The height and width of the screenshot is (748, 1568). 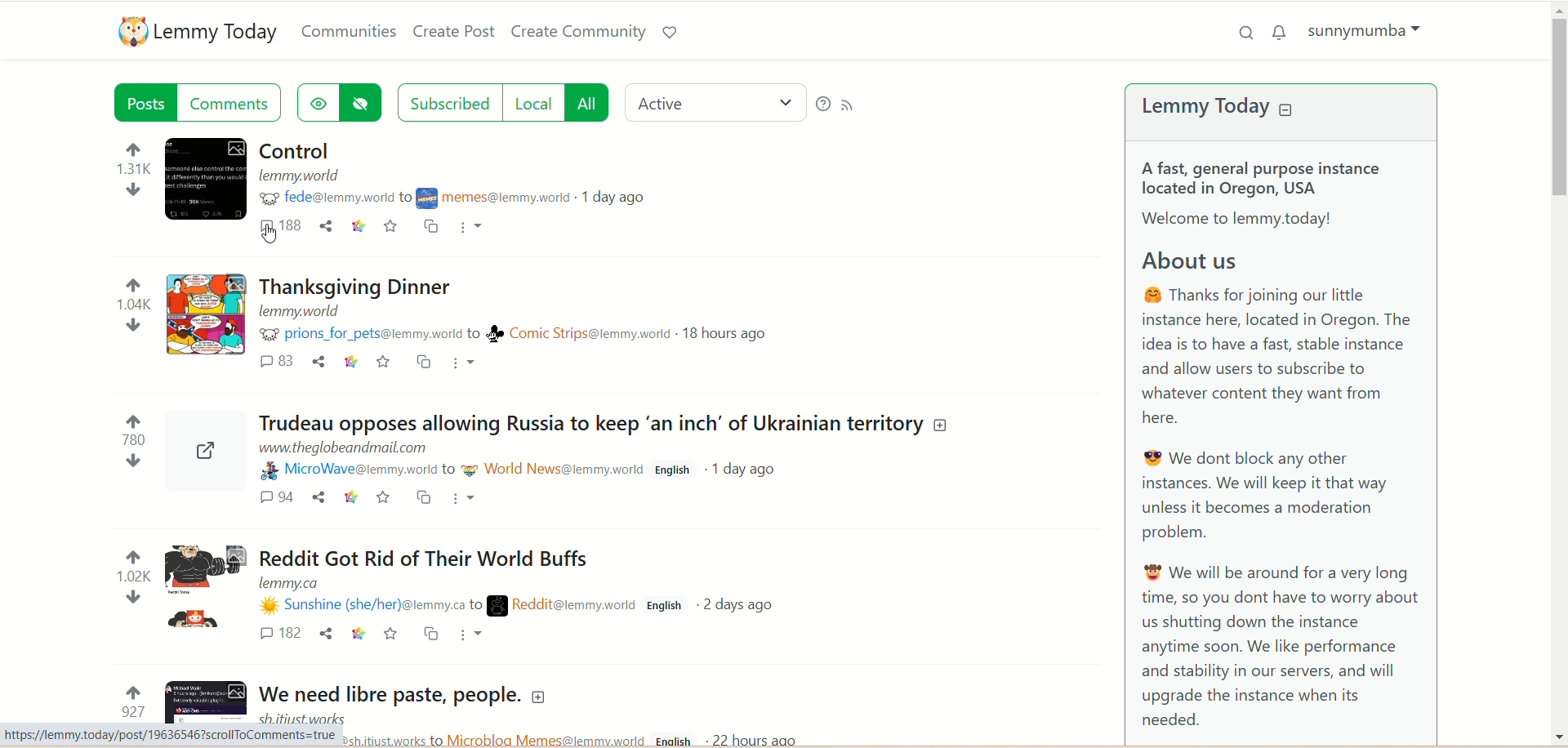 I want to click on notification, so click(x=1283, y=33).